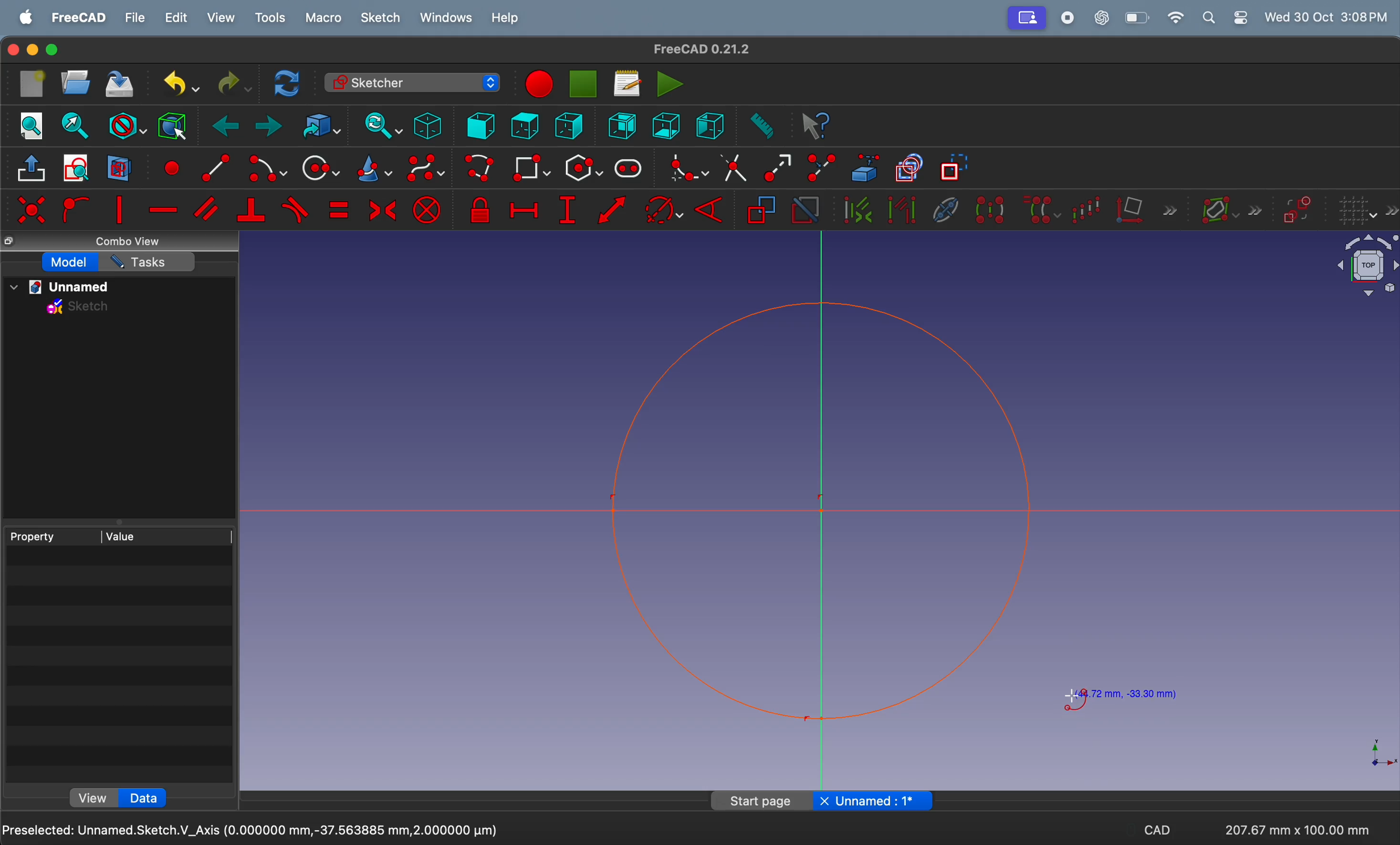 This screenshot has width=1400, height=845. Describe the element at coordinates (1330, 16) in the screenshot. I see `Wed 30 Oct 3:07PM` at that location.